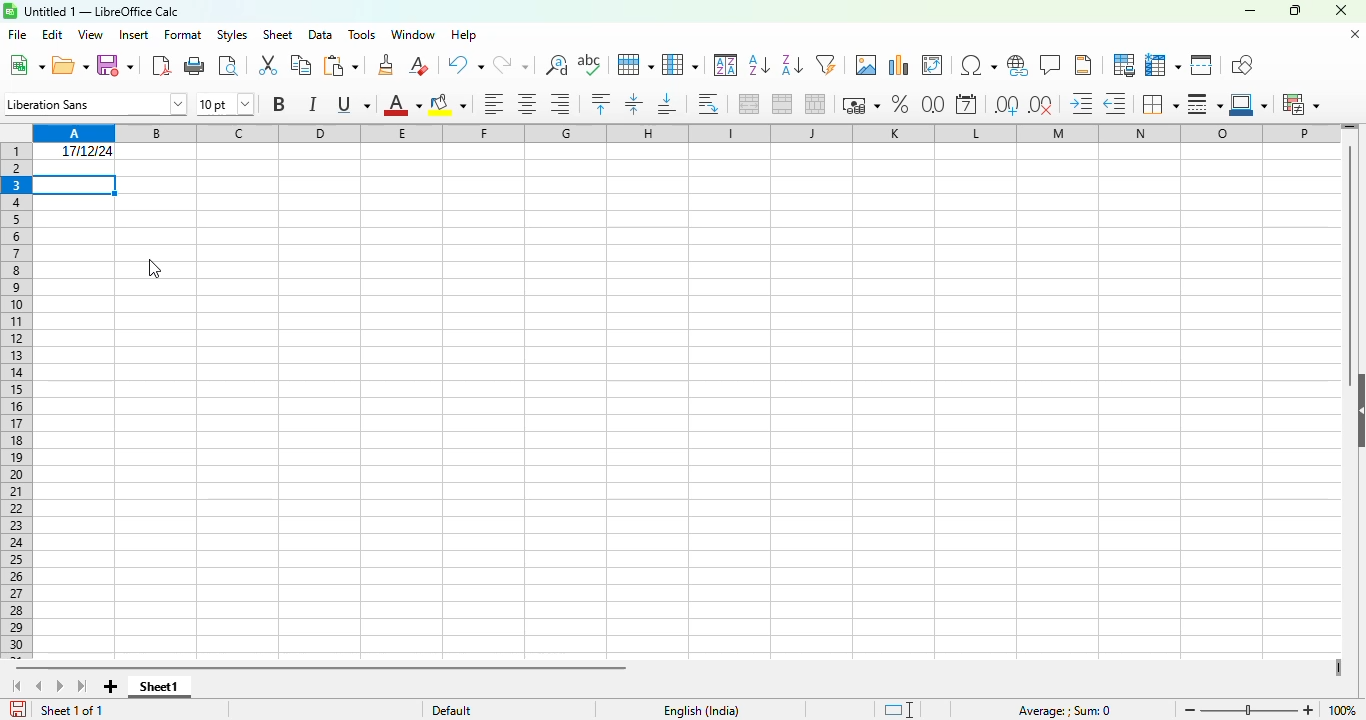 This screenshot has width=1366, height=720. I want to click on sheet 1 of 1, so click(72, 710).